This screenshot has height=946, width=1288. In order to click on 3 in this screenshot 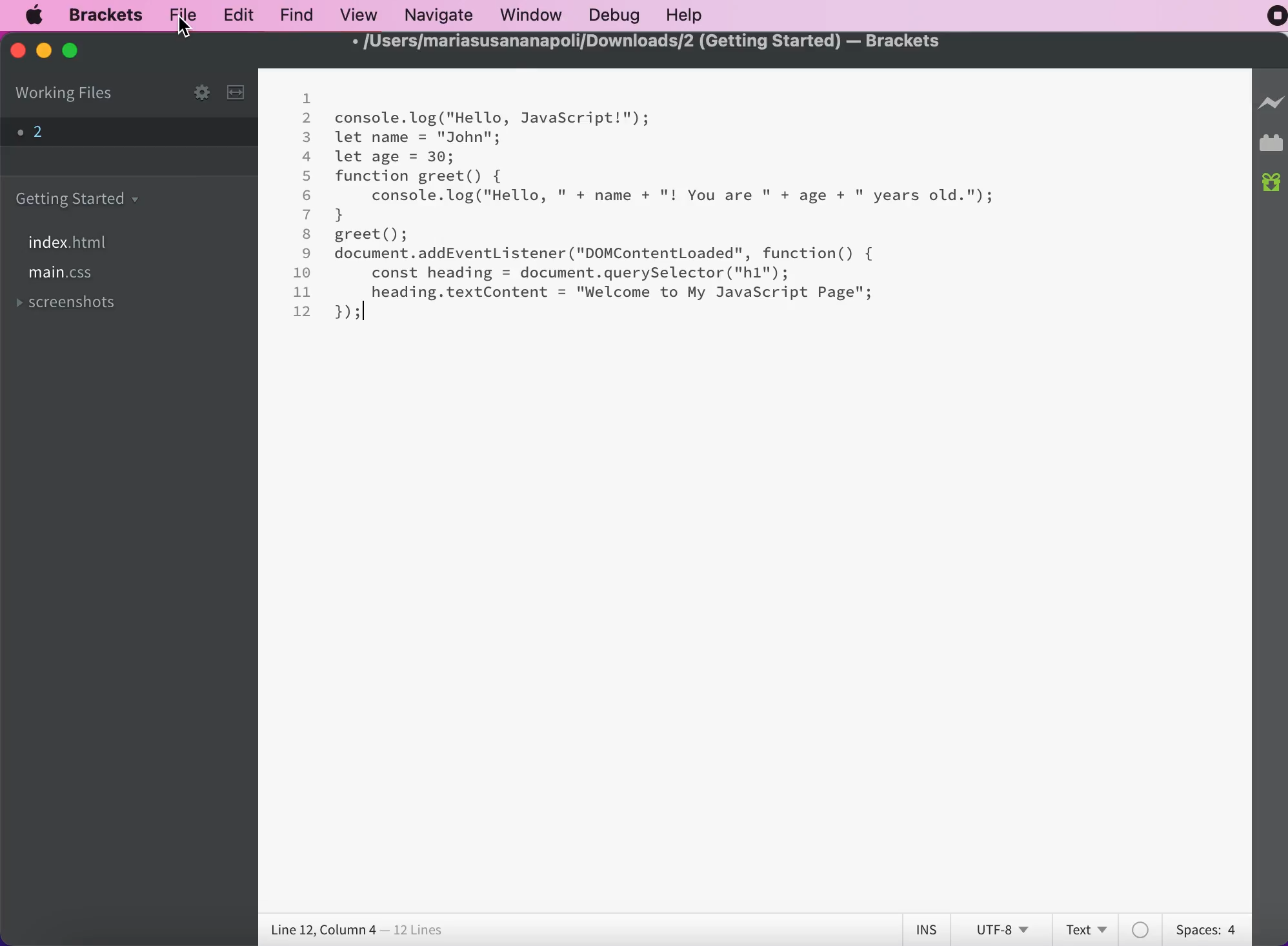, I will do `click(307, 137)`.